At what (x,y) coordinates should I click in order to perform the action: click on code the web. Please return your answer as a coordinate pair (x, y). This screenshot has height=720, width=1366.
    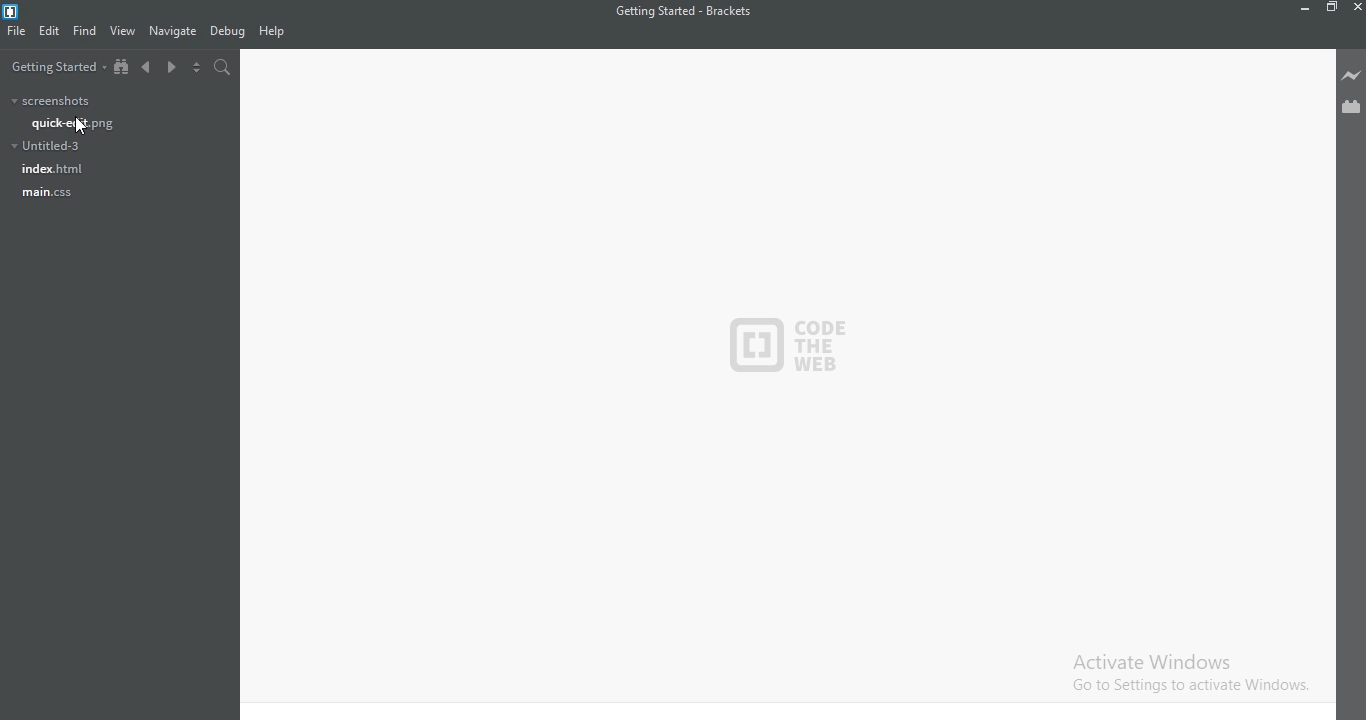
    Looking at the image, I should click on (791, 345).